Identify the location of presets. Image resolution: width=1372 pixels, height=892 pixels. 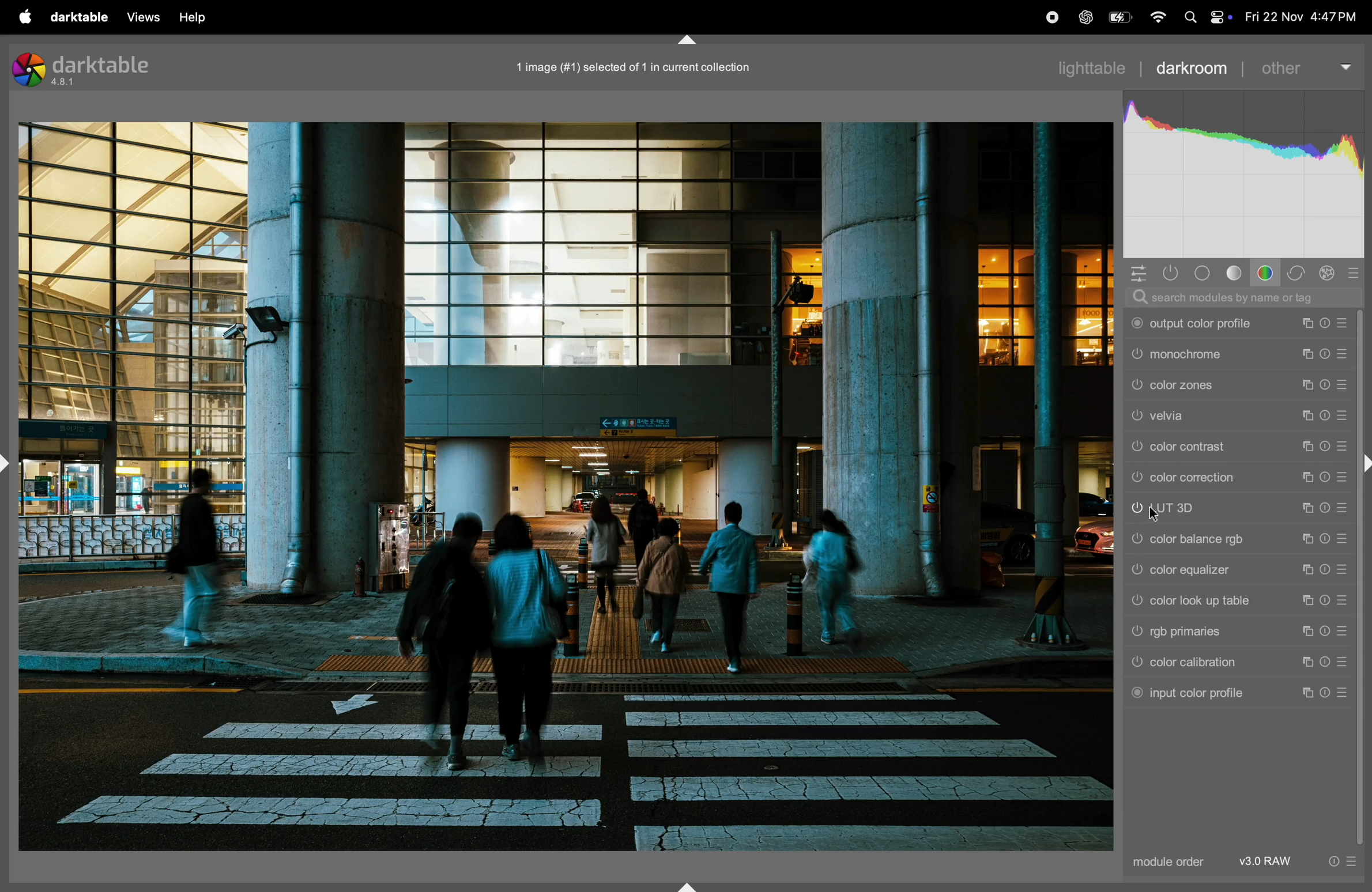
(1345, 505).